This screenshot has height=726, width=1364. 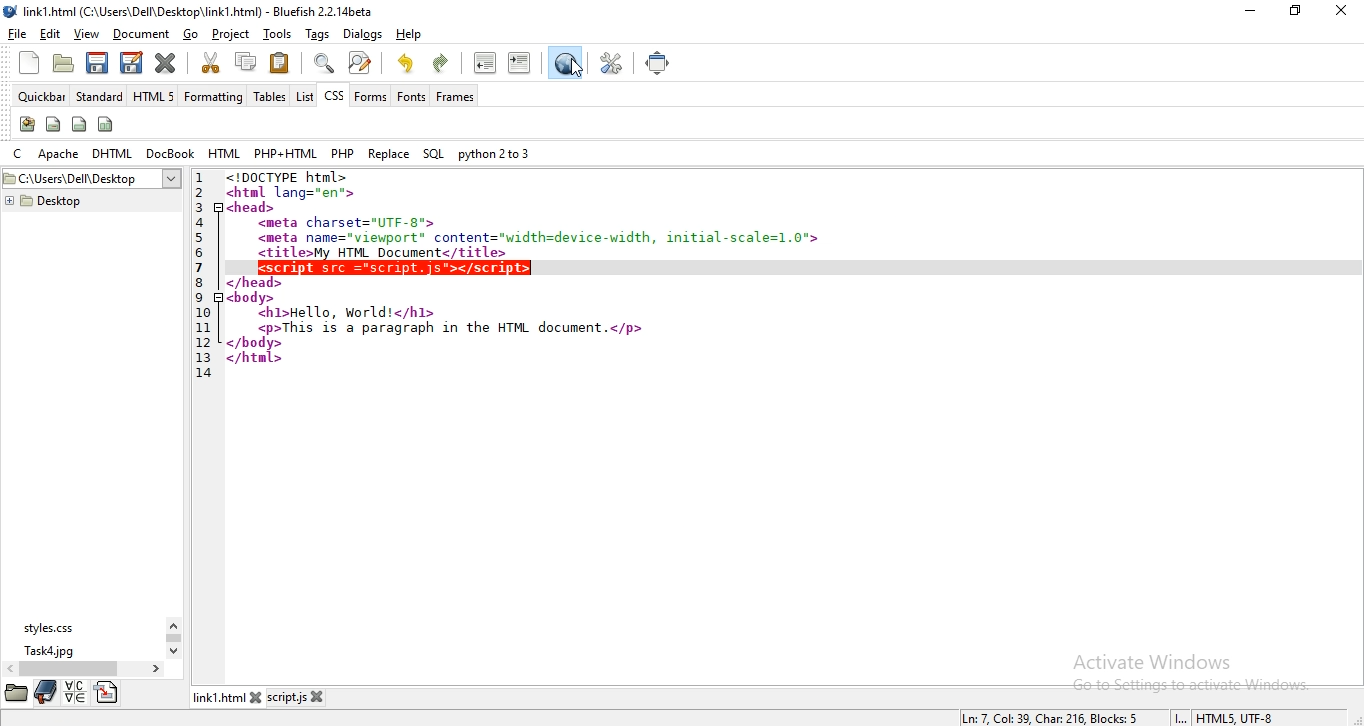 What do you see at coordinates (104, 125) in the screenshot?
I see `columns` at bounding box center [104, 125].